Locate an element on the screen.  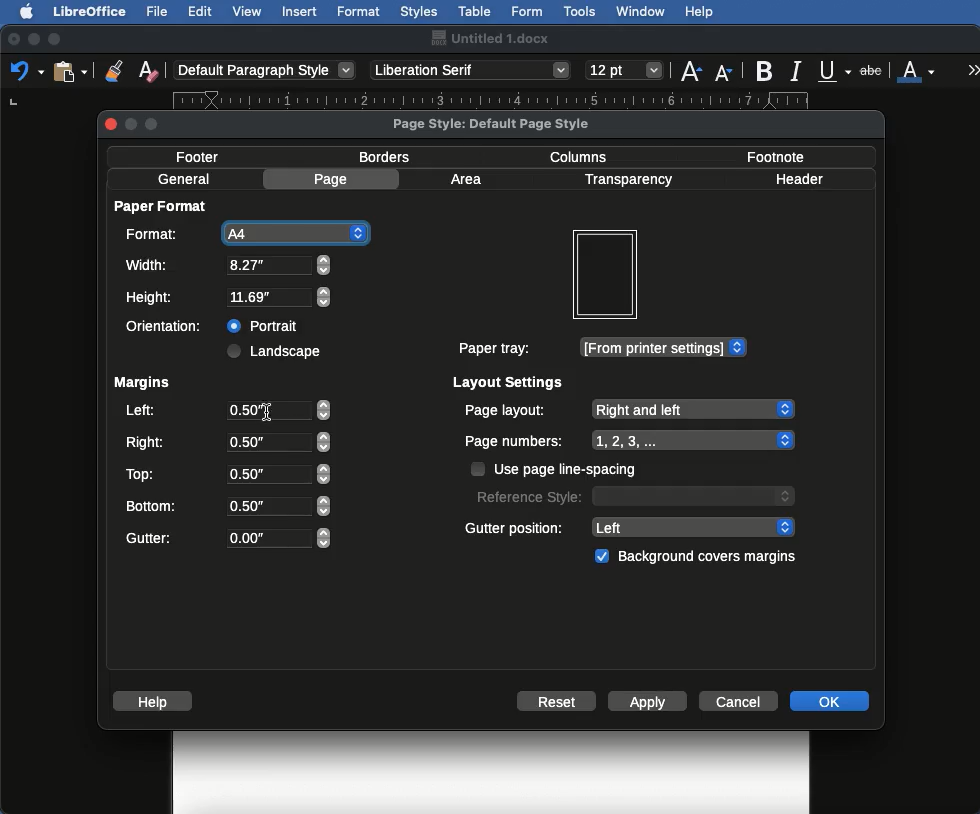
Height is located at coordinates (229, 298).